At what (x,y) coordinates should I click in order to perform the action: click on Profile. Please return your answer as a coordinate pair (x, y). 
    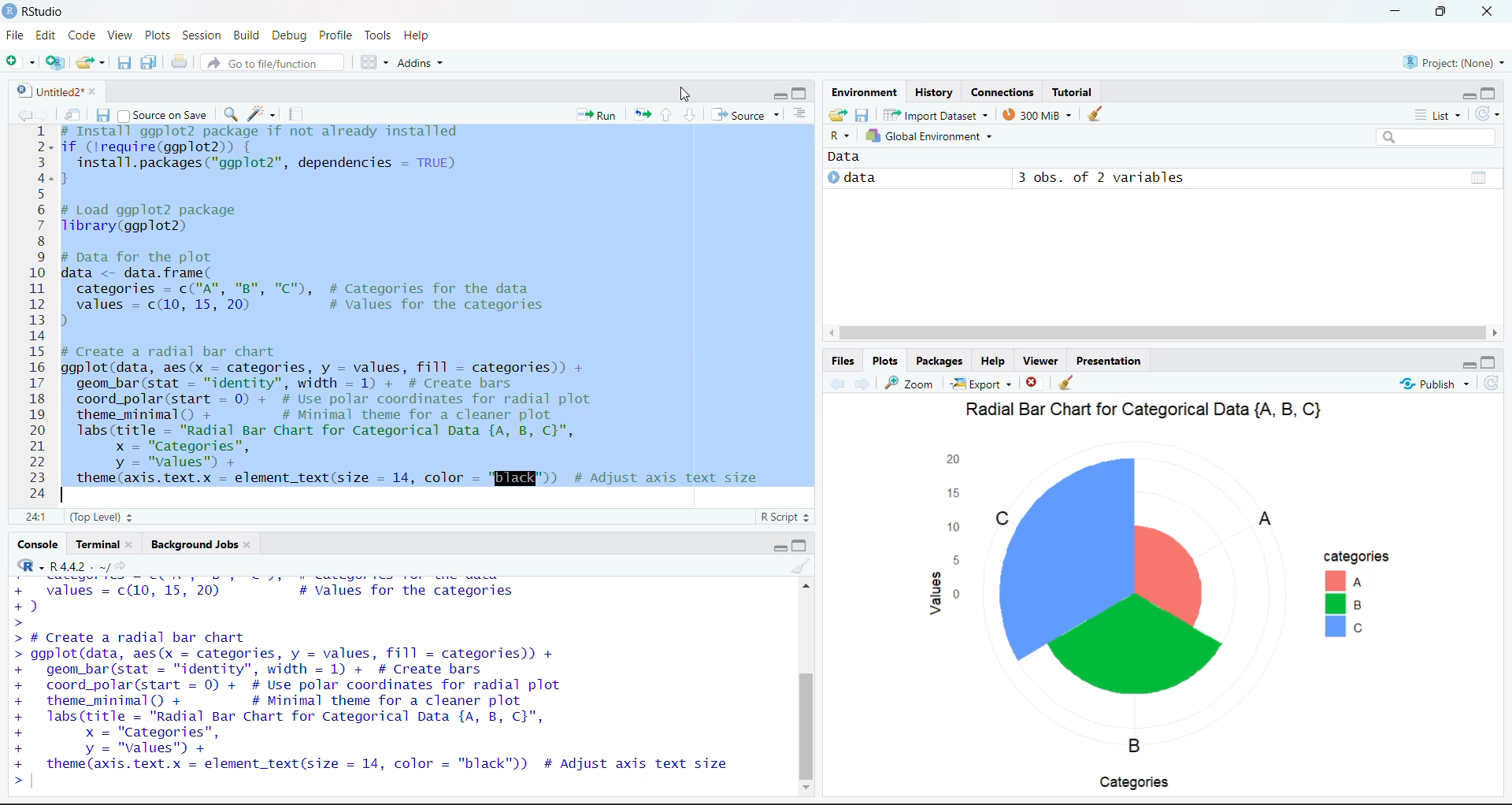
    Looking at the image, I should click on (336, 37).